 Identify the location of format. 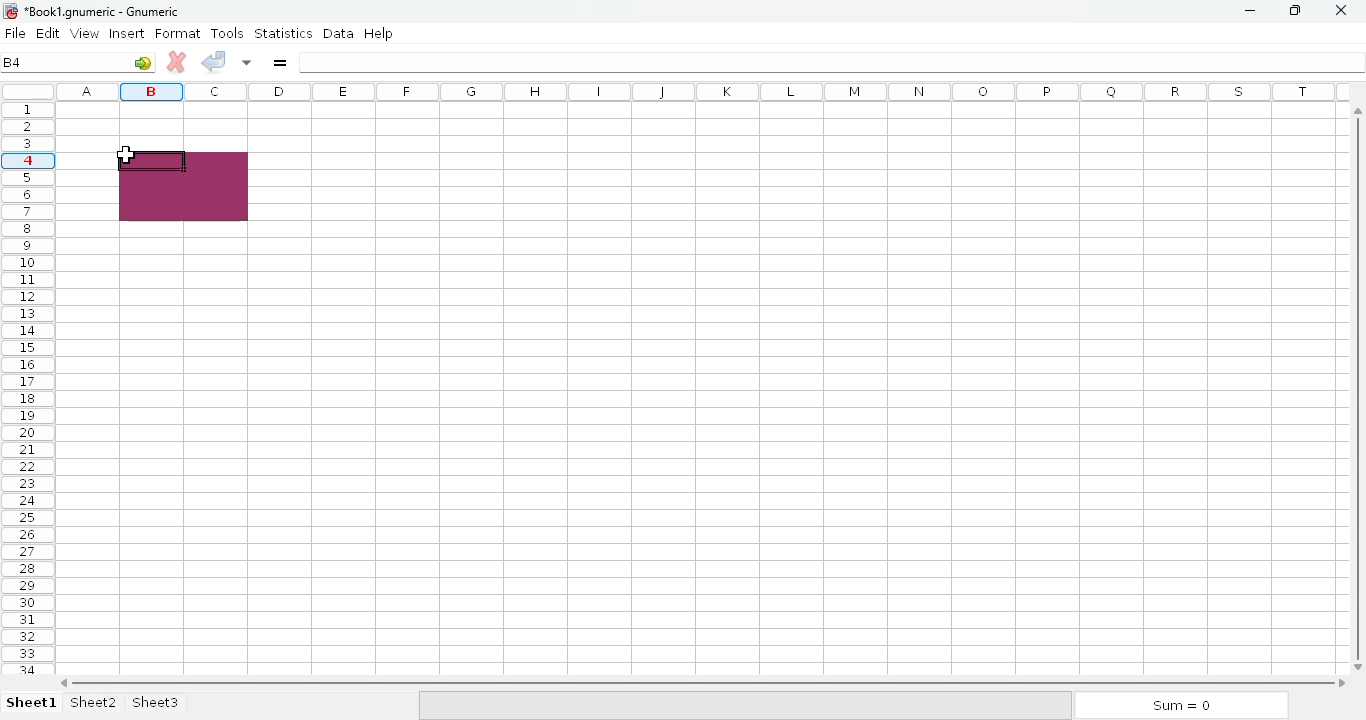
(178, 33).